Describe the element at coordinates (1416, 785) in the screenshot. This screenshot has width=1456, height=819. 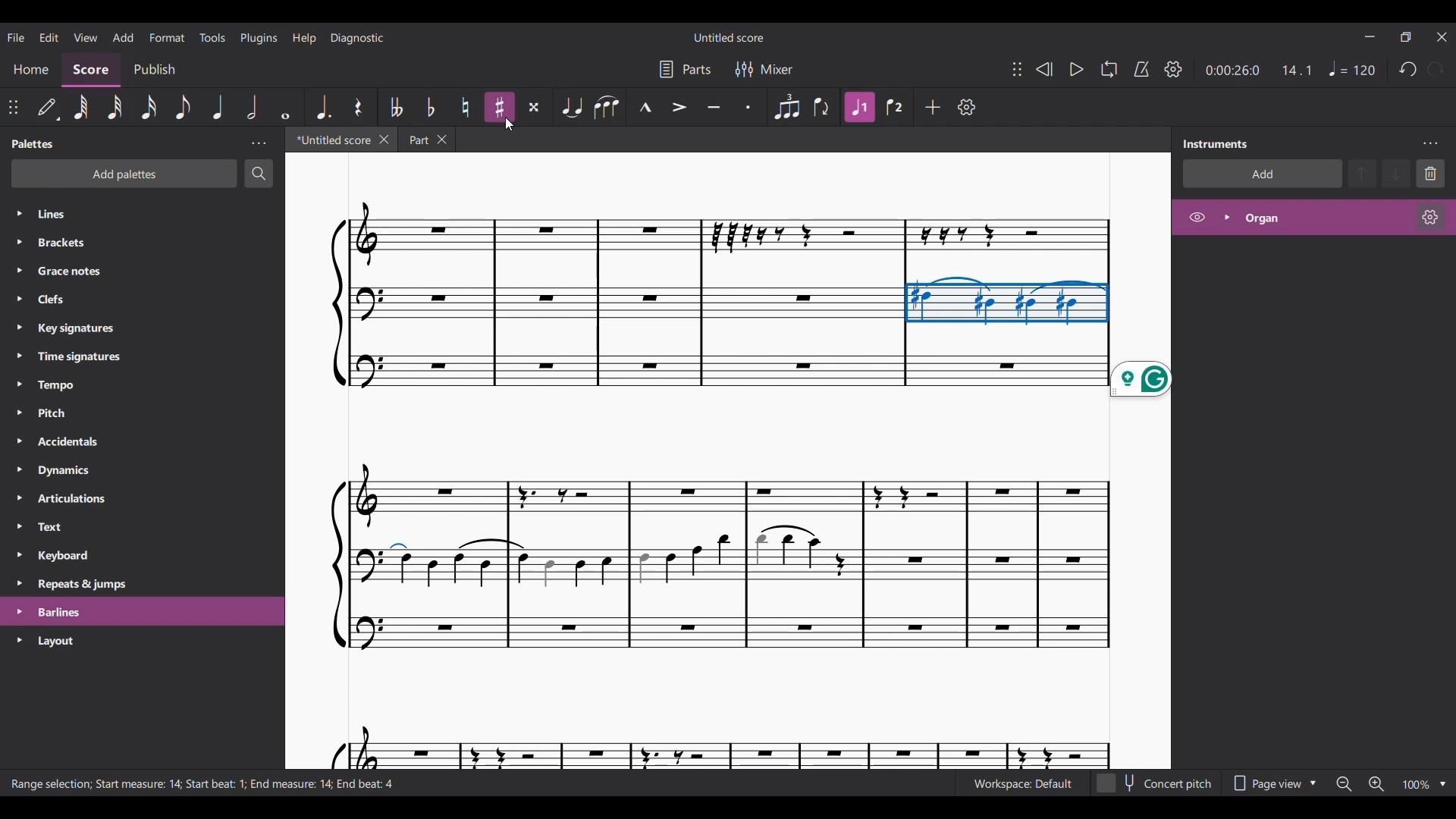
I see `Zoom factor` at that location.